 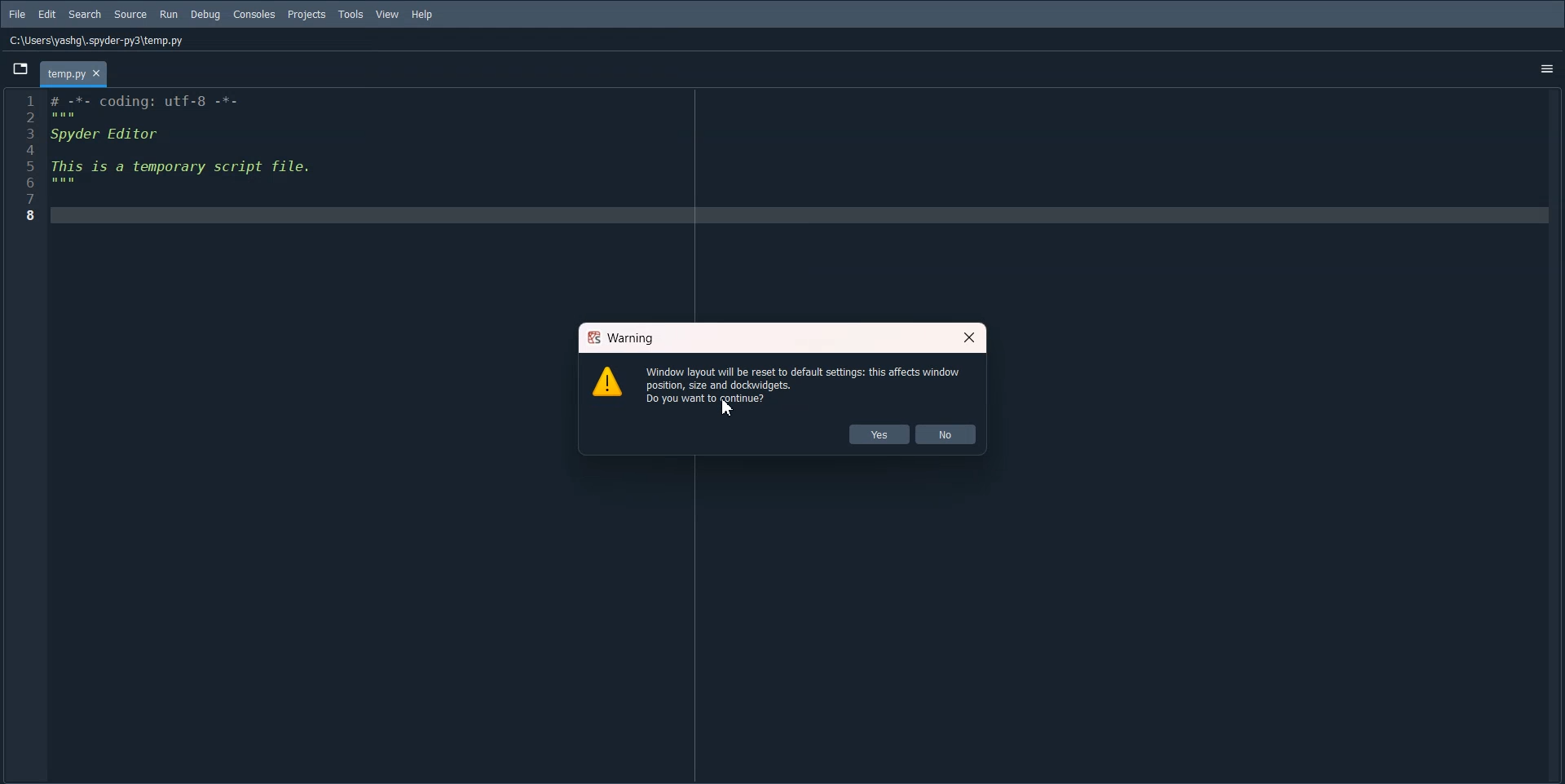 I want to click on Warning, so click(x=618, y=337).